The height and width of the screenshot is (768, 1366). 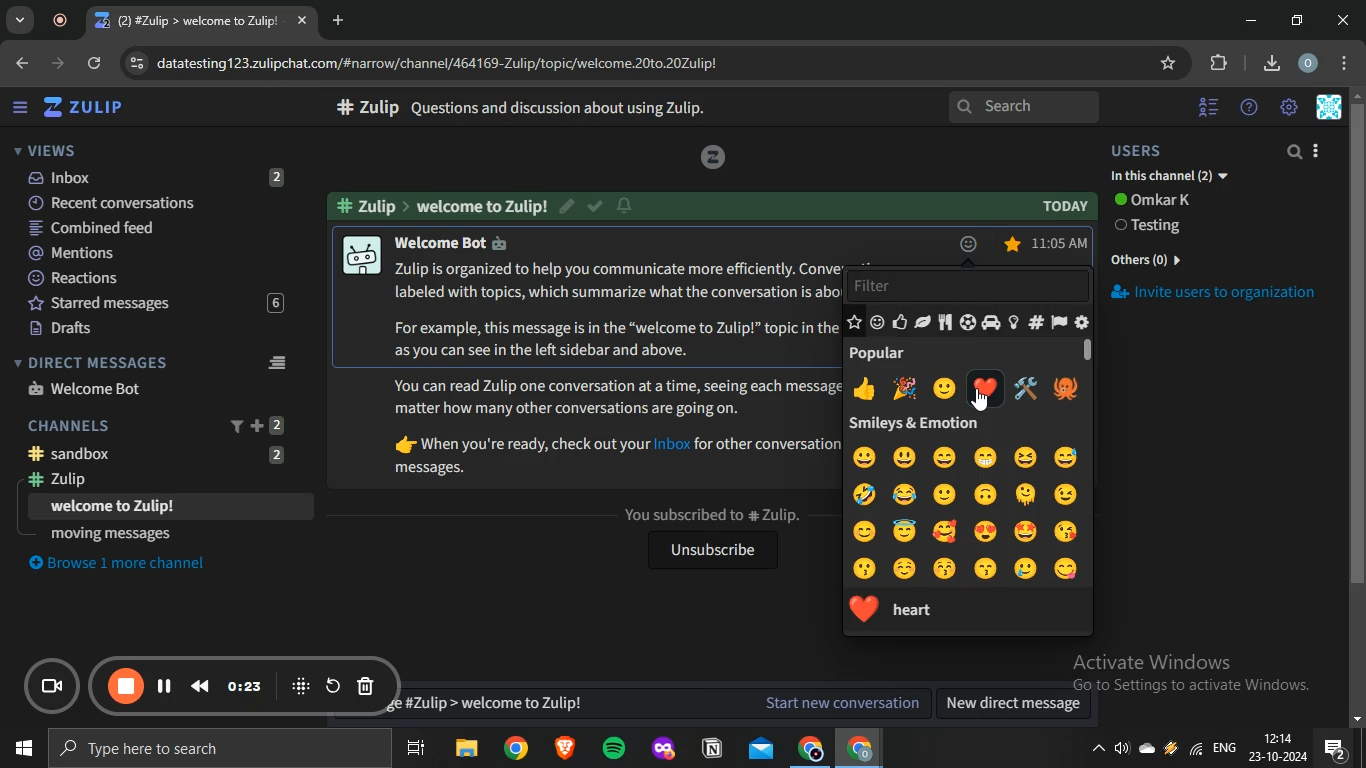 What do you see at coordinates (986, 402) in the screenshot?
I see `cursor` at bounding box center [986, 402].